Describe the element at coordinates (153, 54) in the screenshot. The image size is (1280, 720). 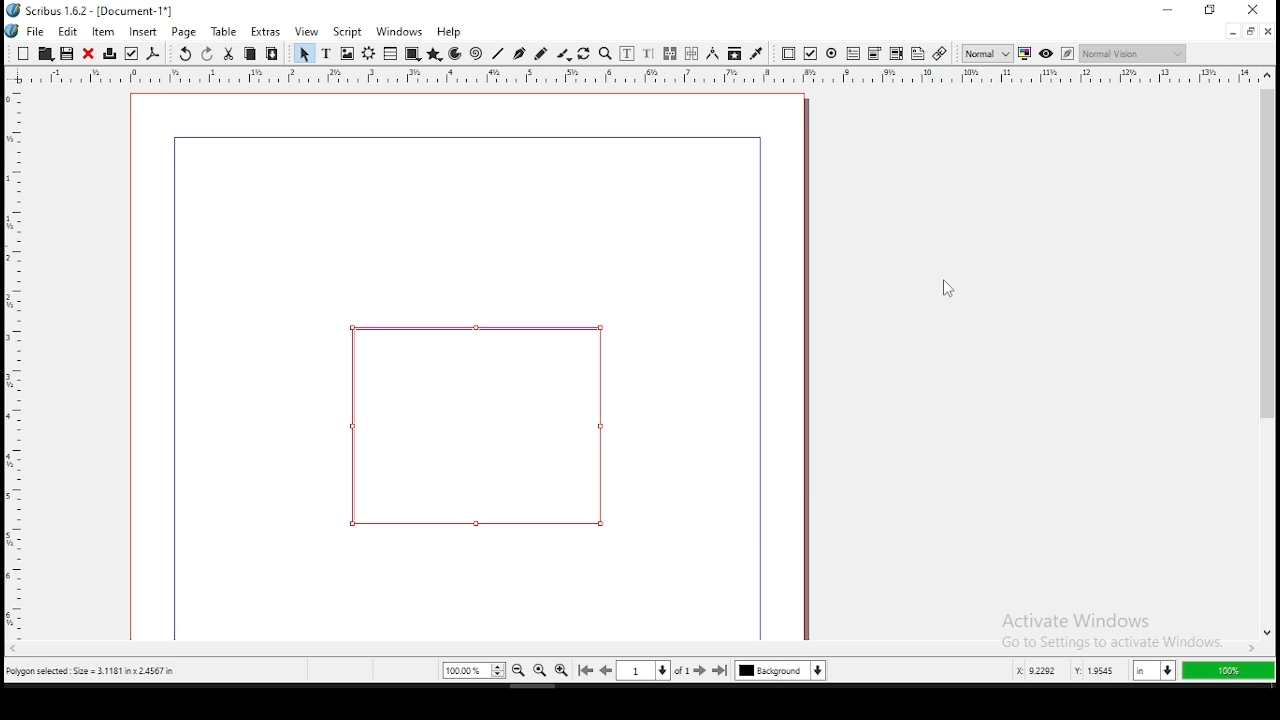
I see `save as pdf` at that location.